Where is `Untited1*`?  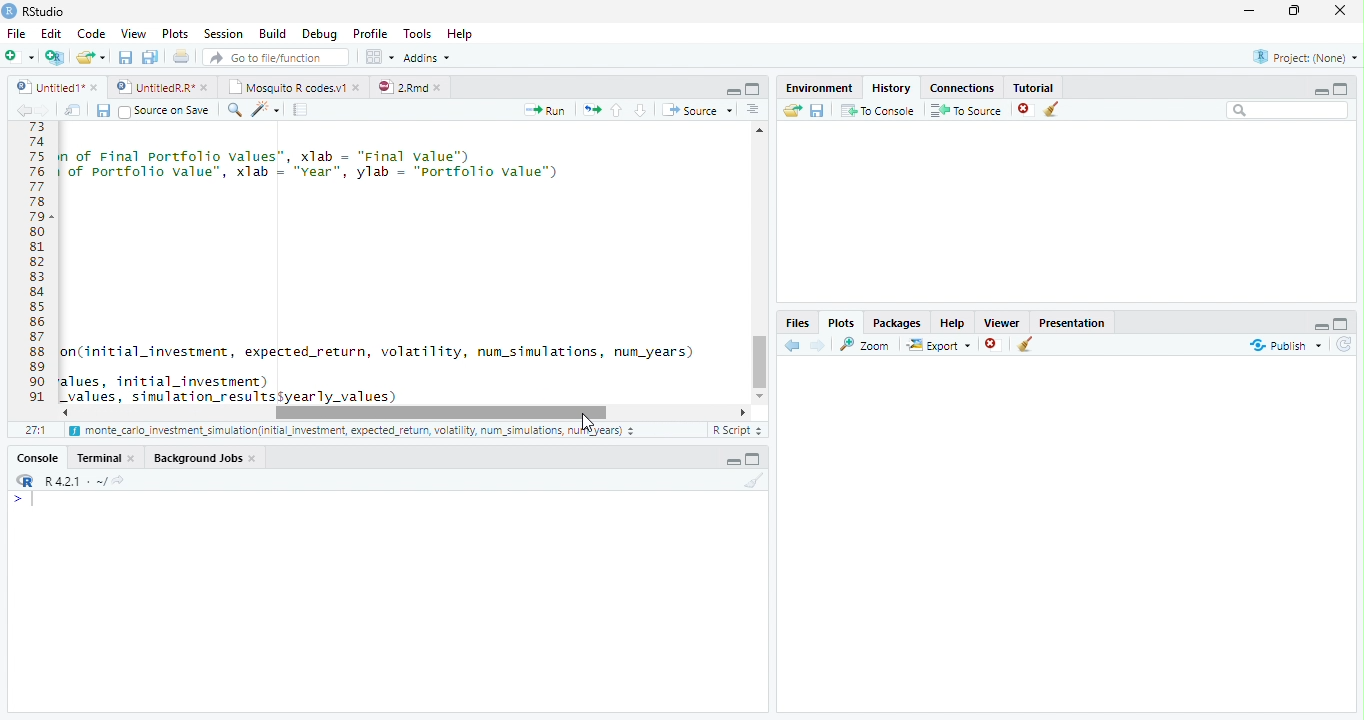 Untited1* is located at coordinates (55, 86).